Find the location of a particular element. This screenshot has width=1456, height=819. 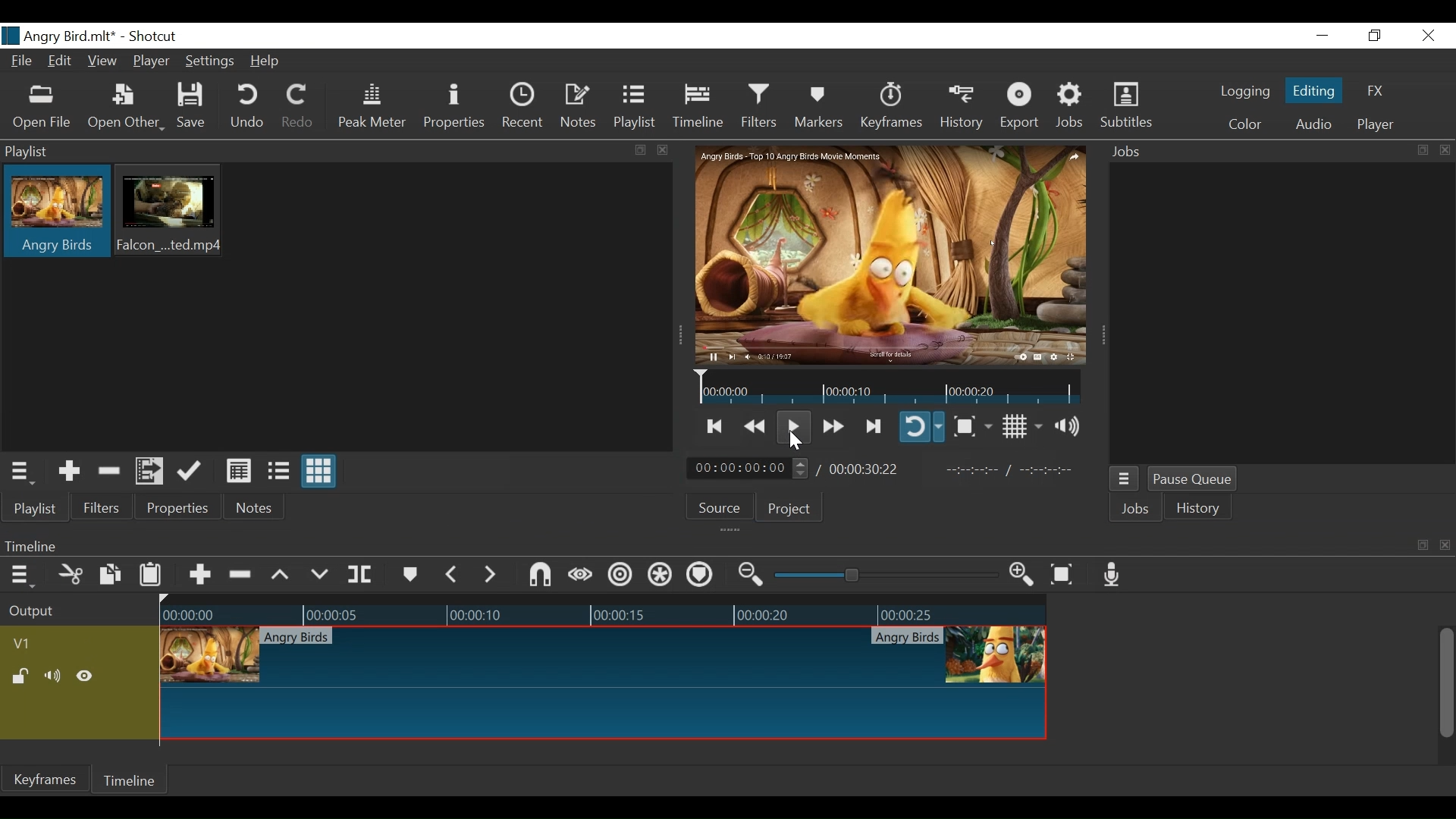

Open Other is located at coordinates (127, 106).